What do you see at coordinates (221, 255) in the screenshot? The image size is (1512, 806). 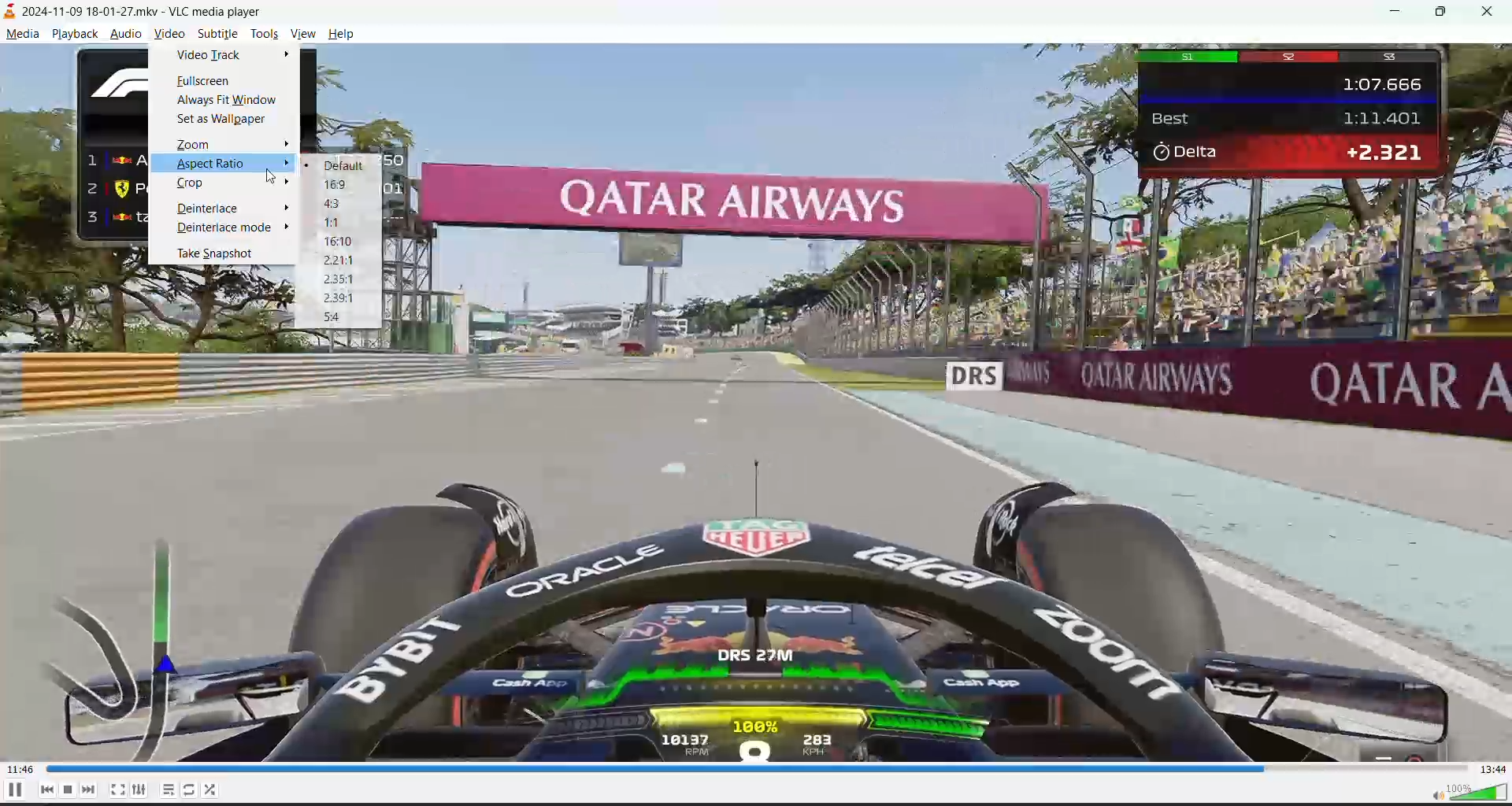 I see `take snapshot` at bounding box center [221, 255].